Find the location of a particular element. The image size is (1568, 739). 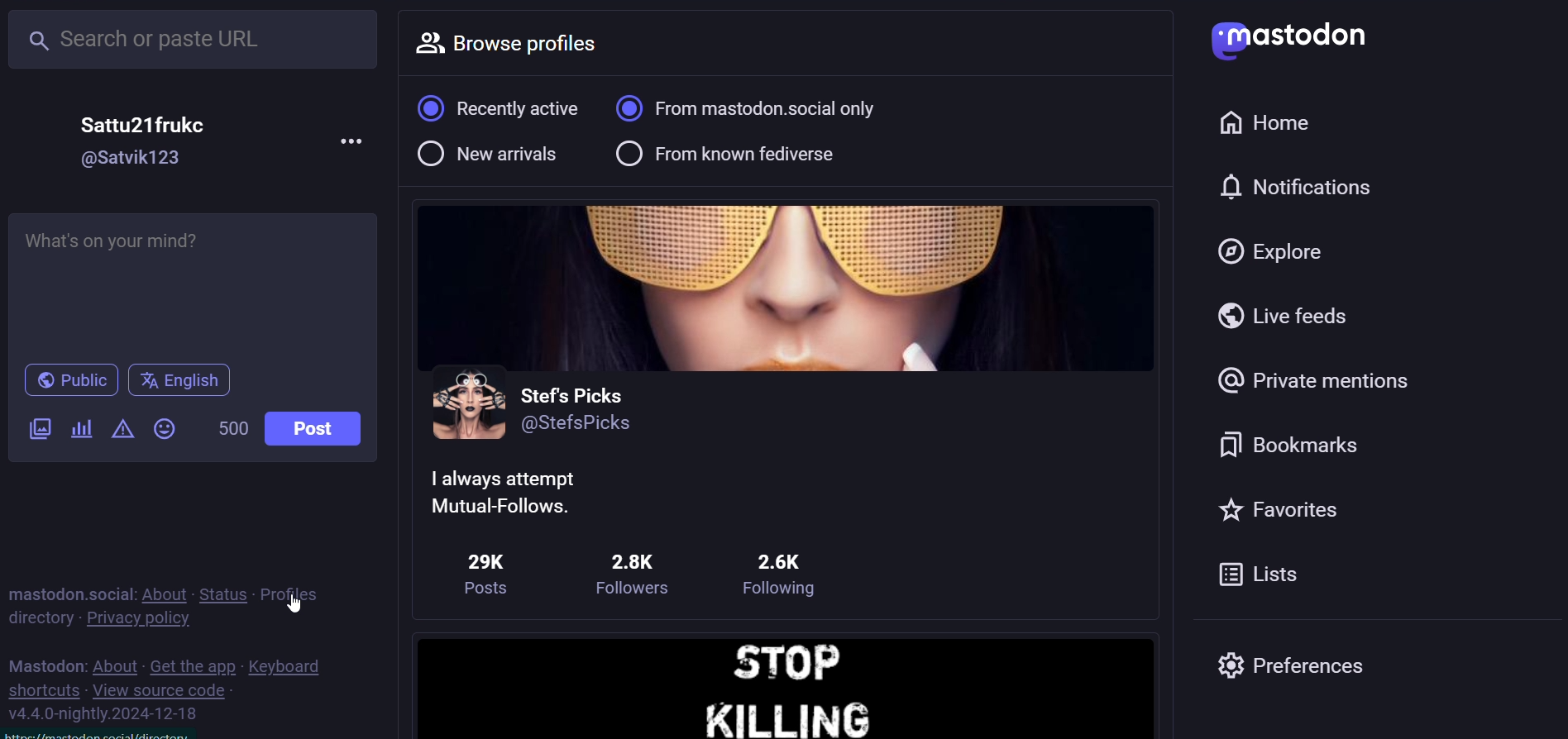

preferences is located at coordinates (1298, 665).